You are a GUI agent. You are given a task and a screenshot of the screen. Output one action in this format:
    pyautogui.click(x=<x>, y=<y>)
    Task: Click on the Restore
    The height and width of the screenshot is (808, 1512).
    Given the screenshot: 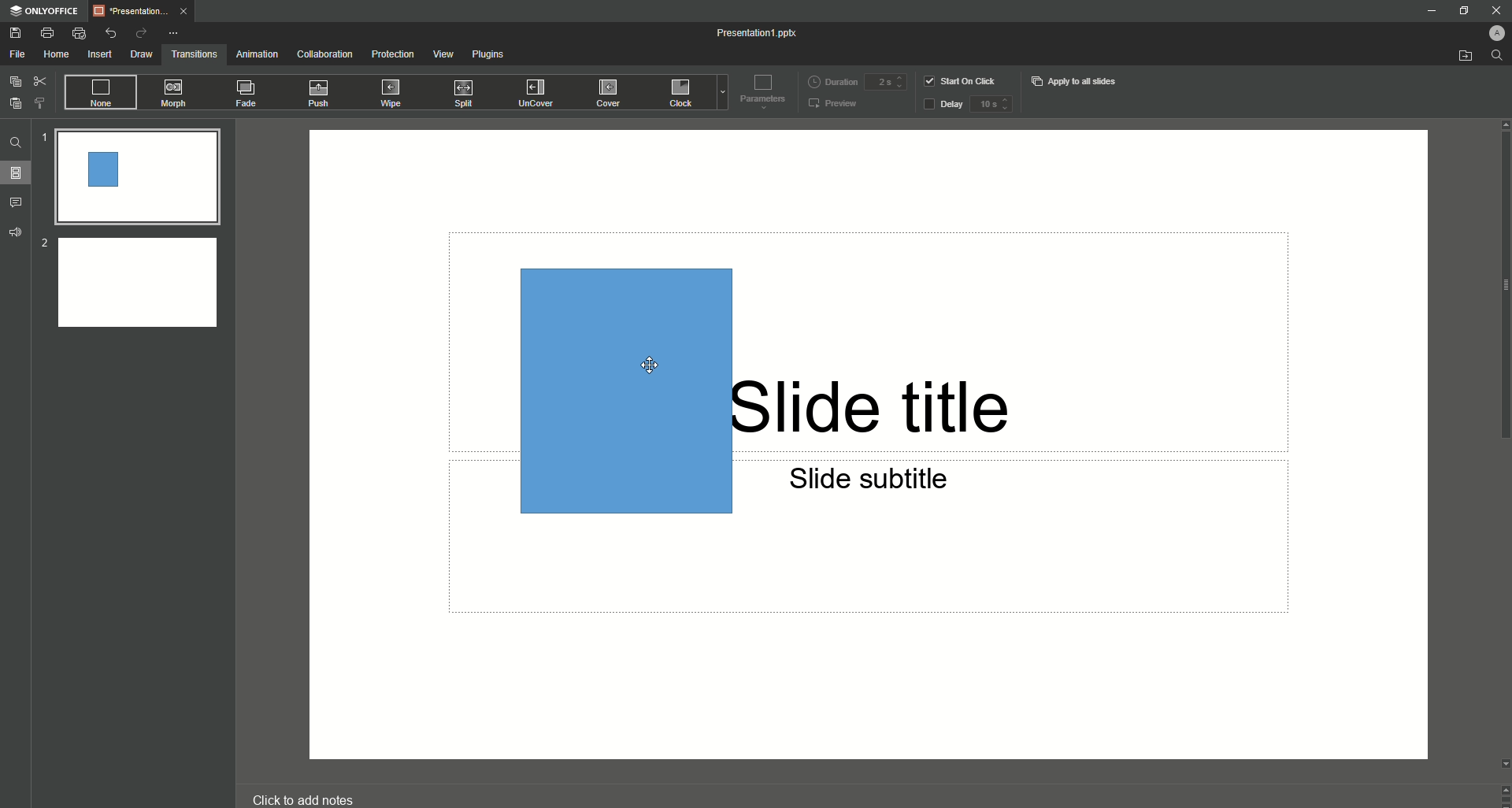 What is the action you would take?
    pyautogui.click(x=1460, y=10)
    